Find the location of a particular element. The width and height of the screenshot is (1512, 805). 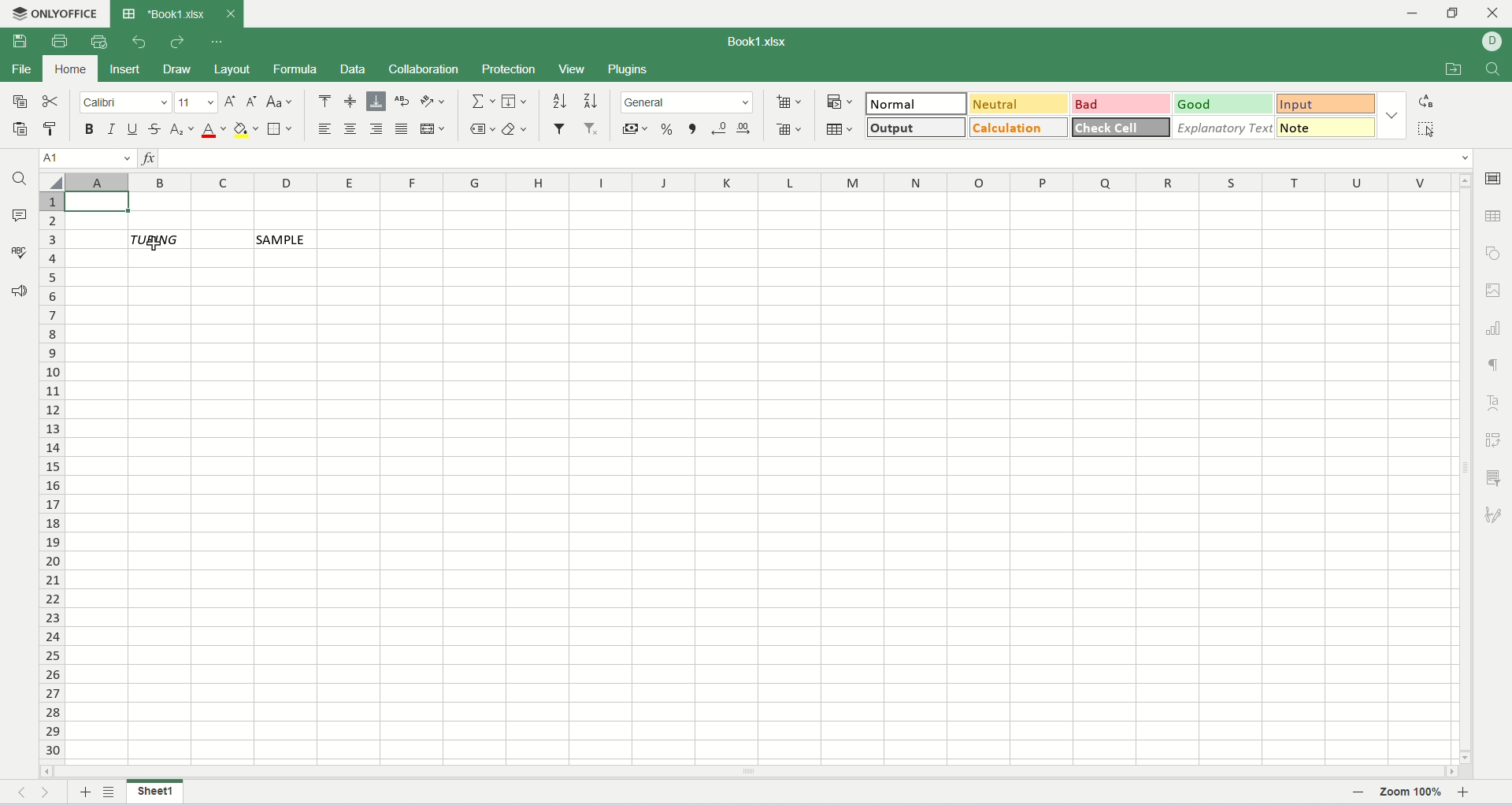

format options is located at coordinates (1393, 118).